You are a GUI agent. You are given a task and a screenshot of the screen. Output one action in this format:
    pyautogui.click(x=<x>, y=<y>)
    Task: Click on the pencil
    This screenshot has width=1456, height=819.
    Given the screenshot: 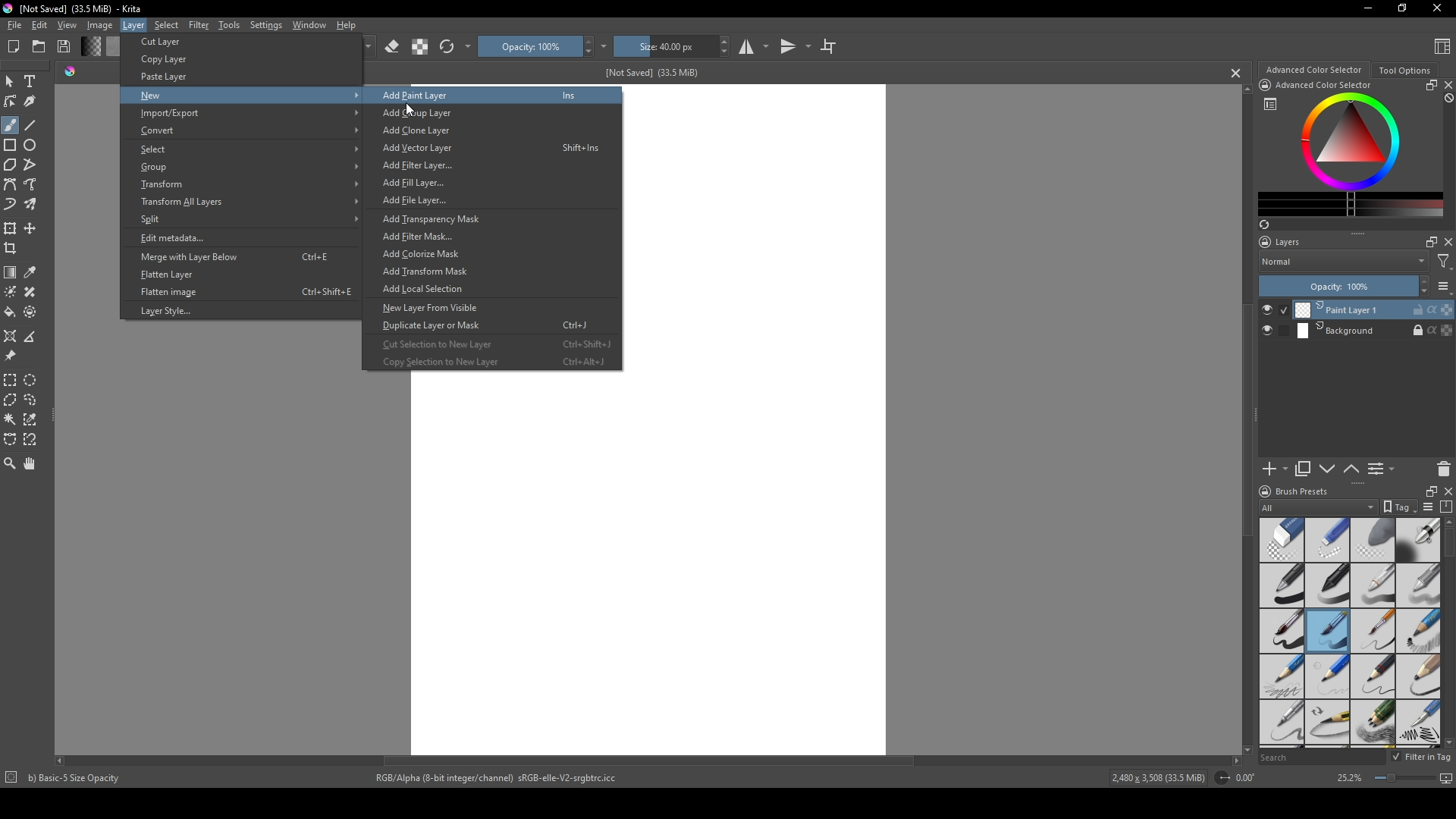 What is the action you would take?
    pyautogui.click(x=1326, y=676)
    